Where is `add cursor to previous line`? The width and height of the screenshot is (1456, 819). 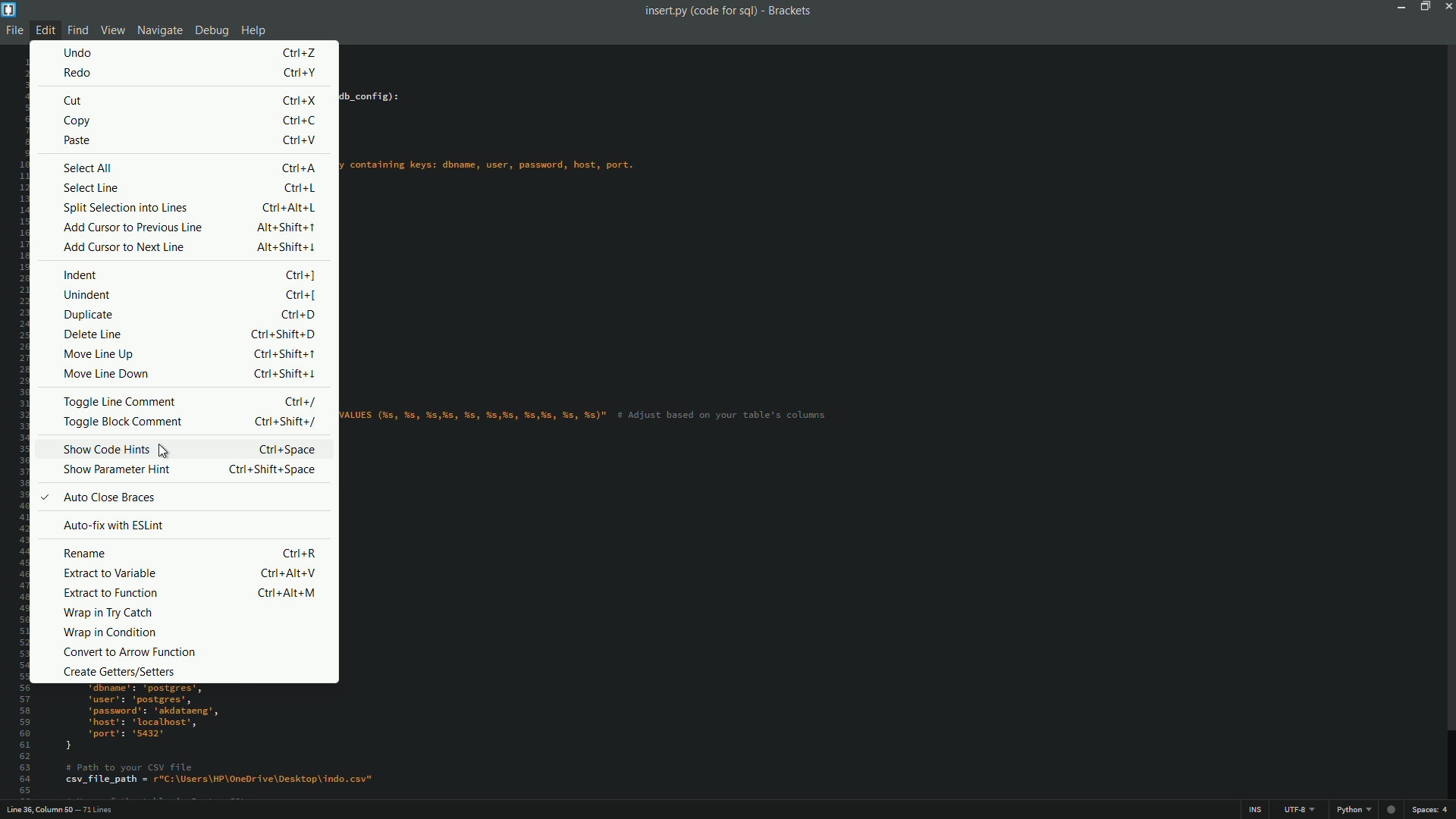 add cursor to previous line is located at coordinates (130, 227).